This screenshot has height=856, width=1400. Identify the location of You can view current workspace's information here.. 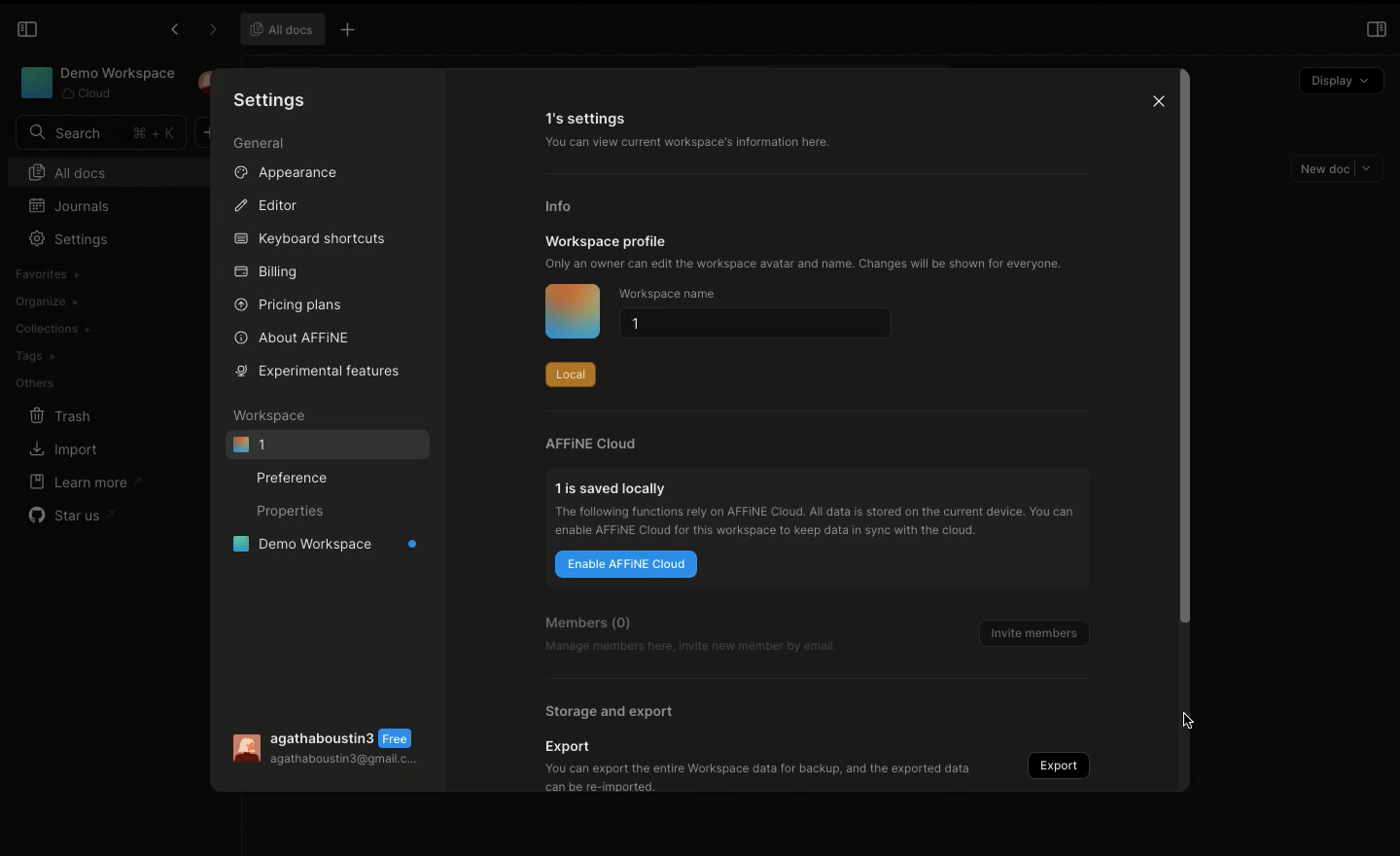
(685, 143).